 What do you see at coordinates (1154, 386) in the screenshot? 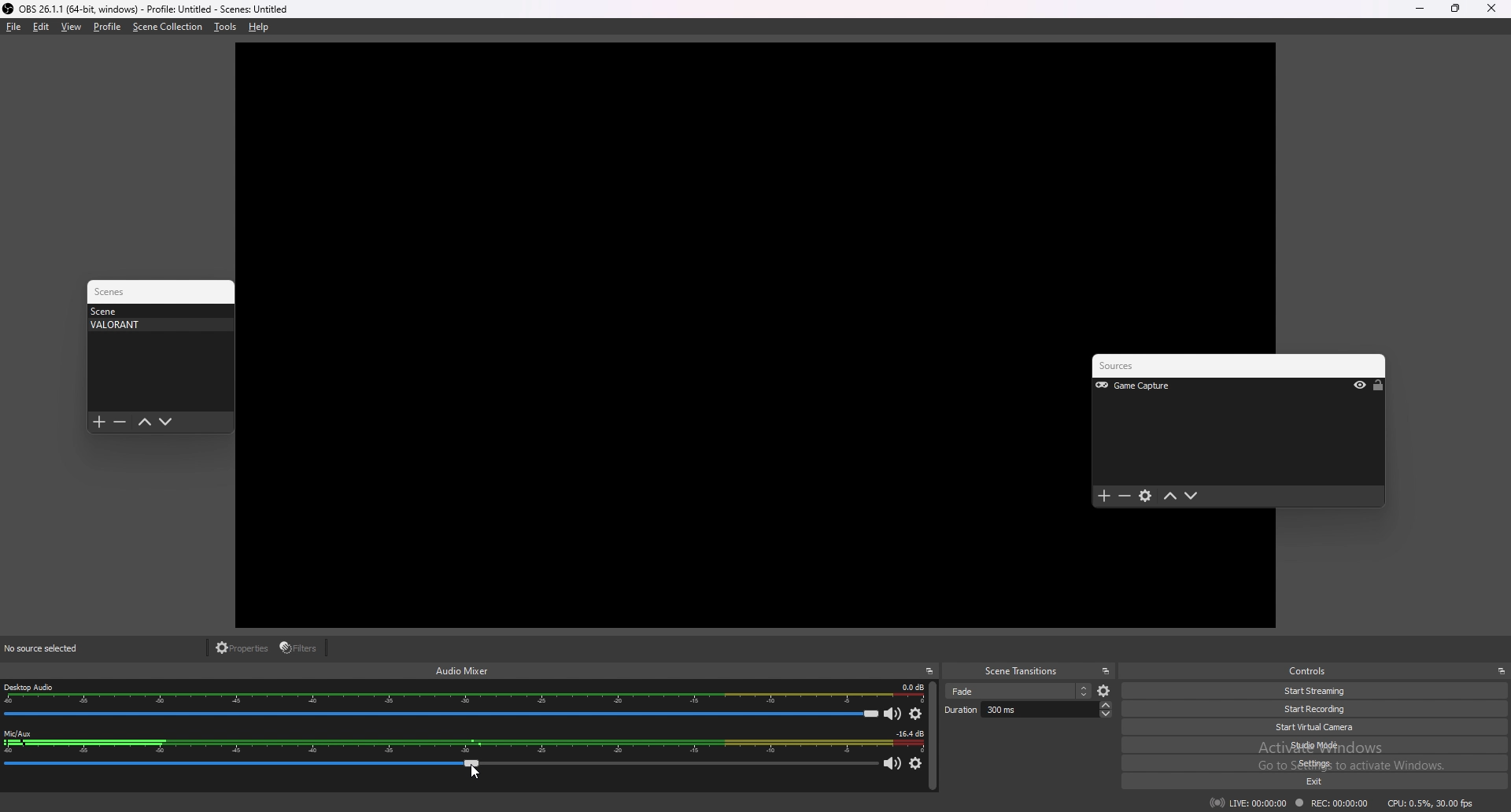
I see `Game Capture` at bounding box center [1154, 386].